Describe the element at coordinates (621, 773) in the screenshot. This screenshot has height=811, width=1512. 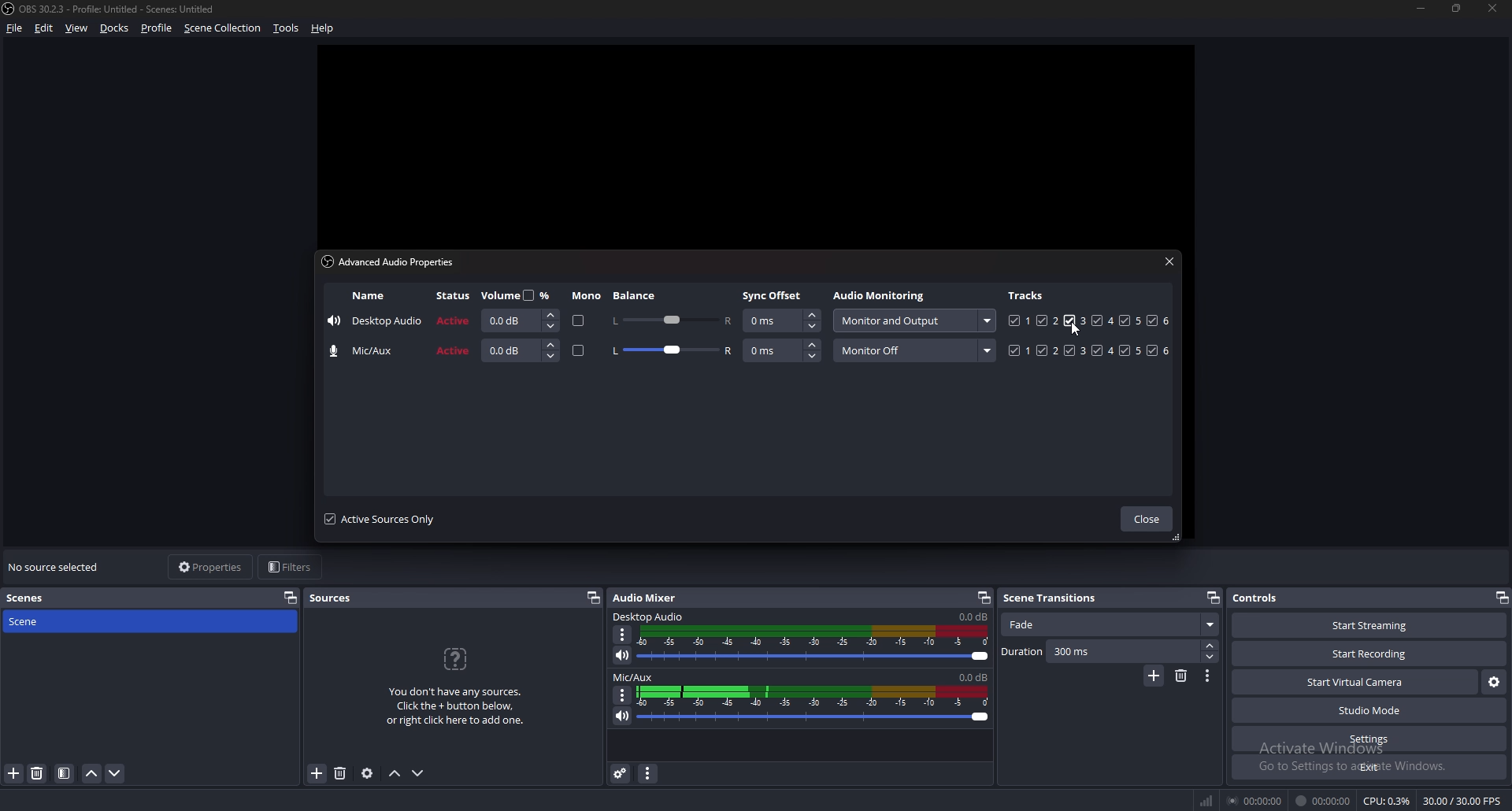
I see `advanced audio properties` at that location.